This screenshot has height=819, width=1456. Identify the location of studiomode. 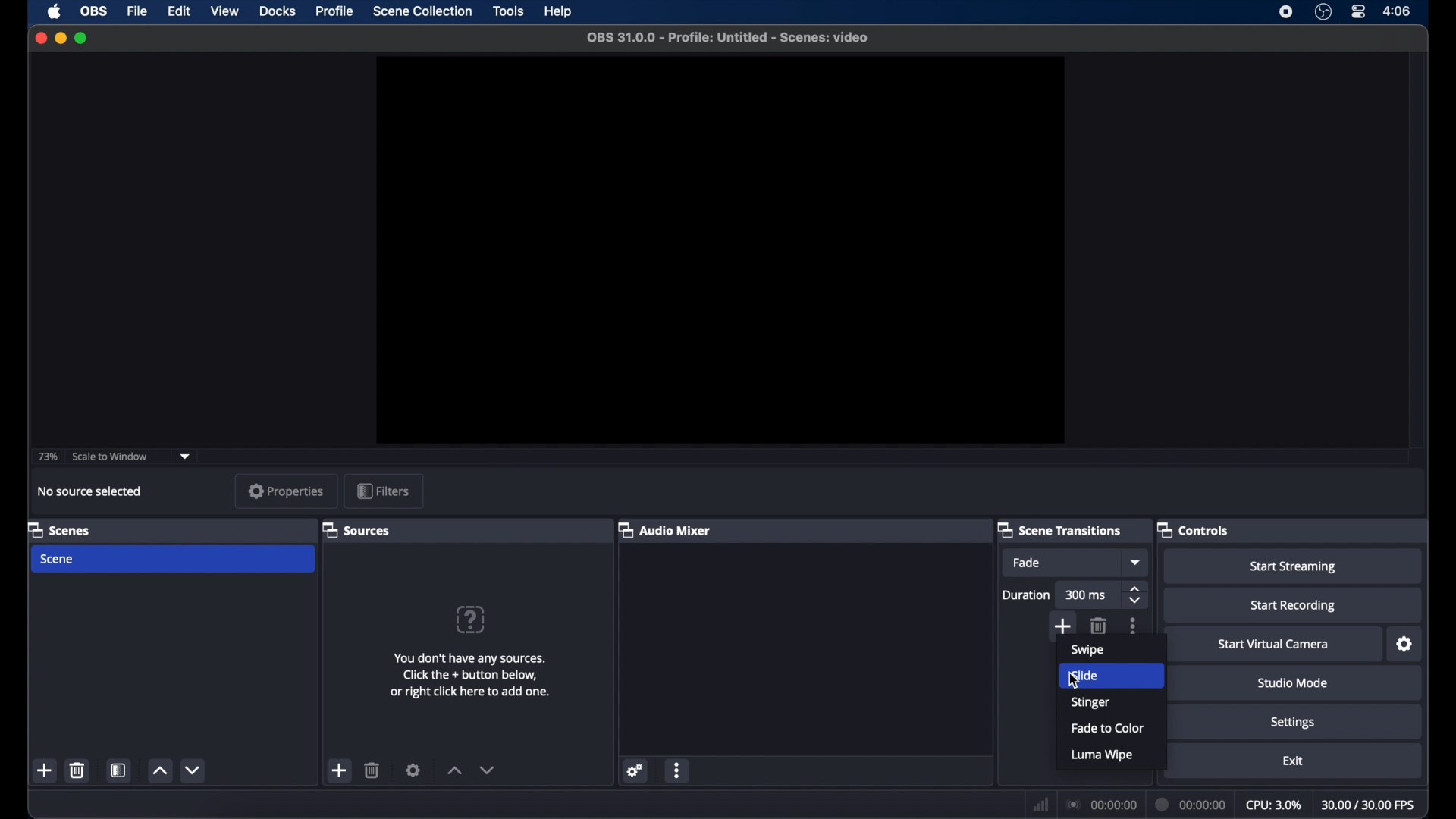
(1294, 684).